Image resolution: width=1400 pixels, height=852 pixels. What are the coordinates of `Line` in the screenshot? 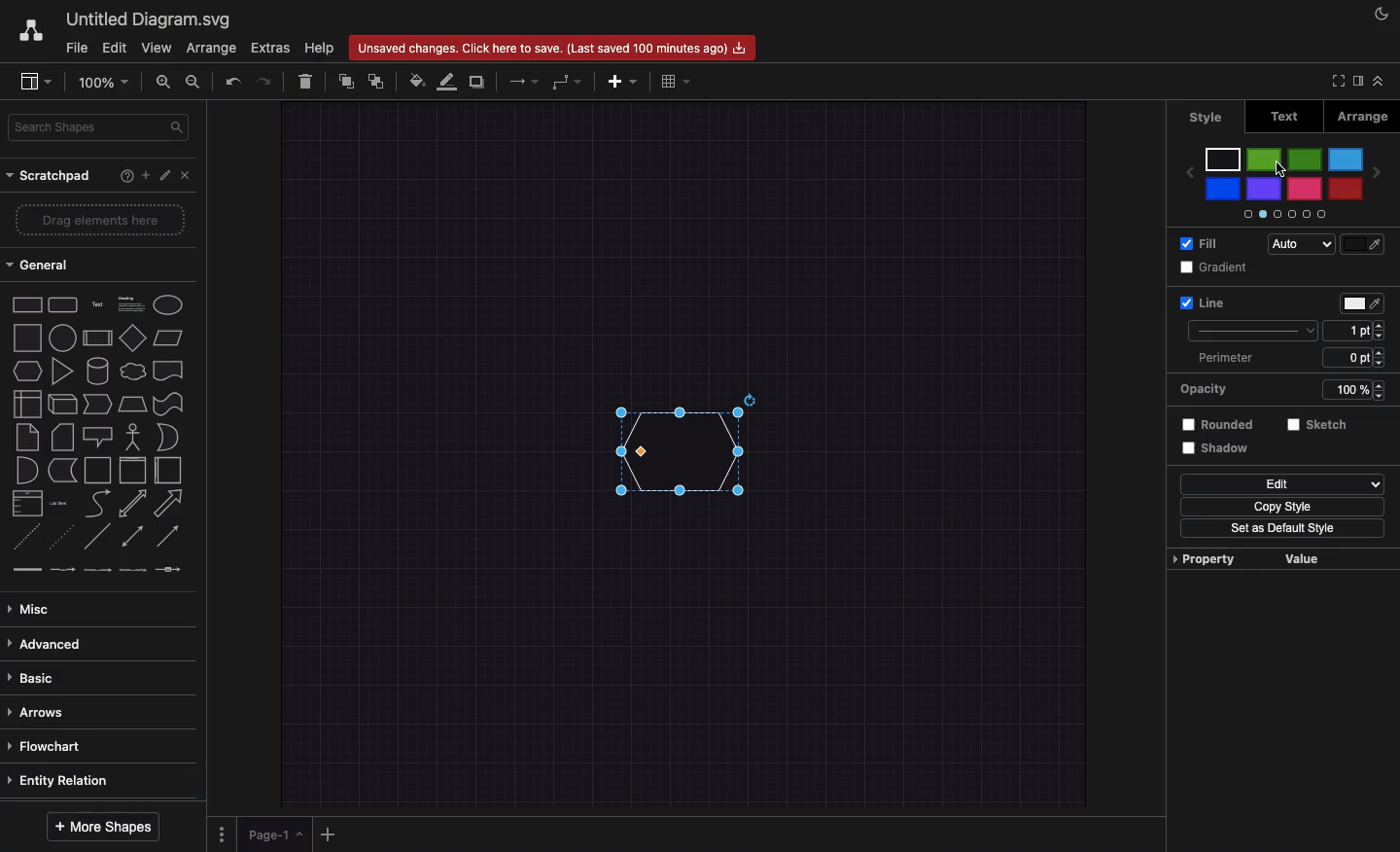 It's located at (1207, 302).